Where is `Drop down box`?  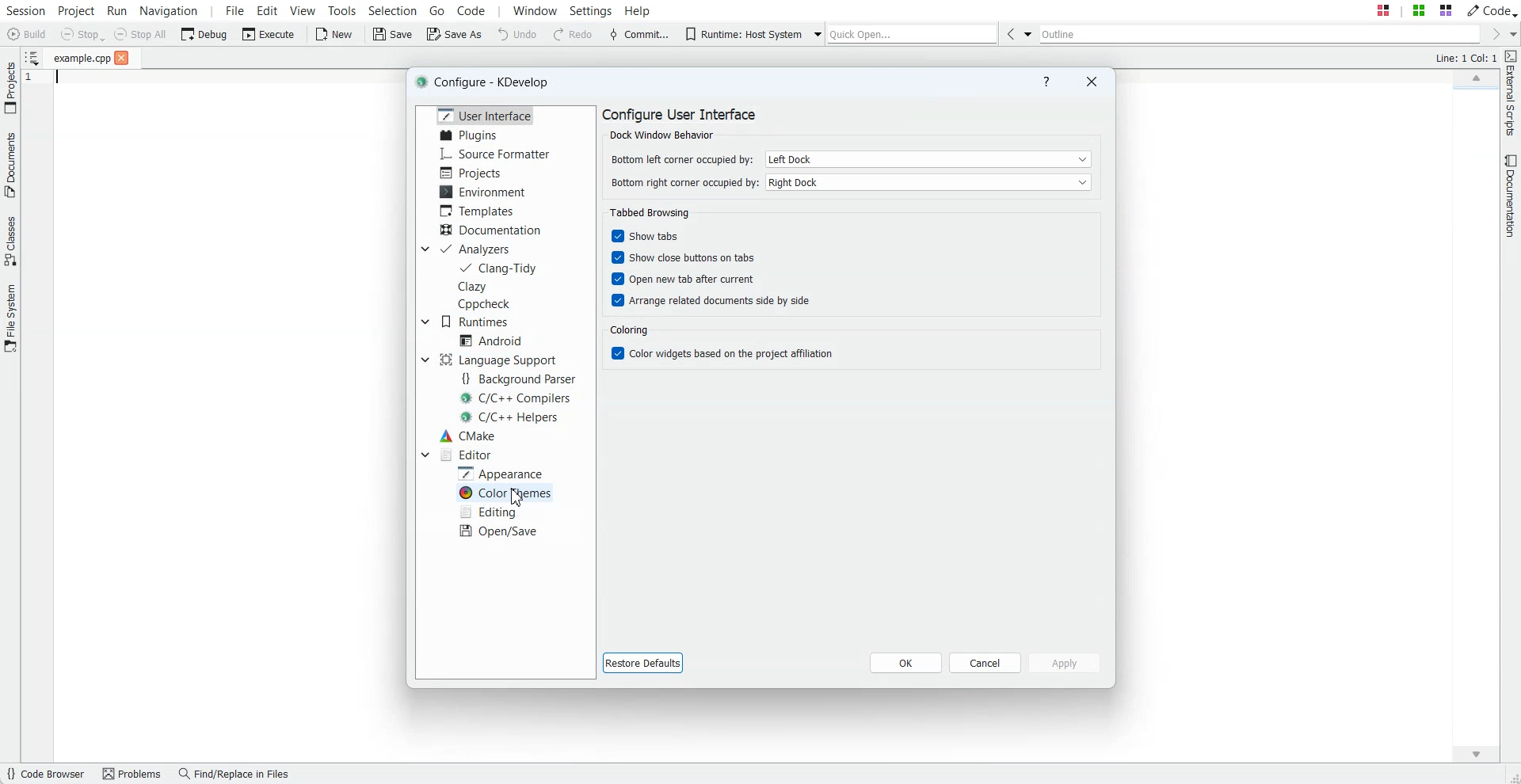 Drop down box is located at coordinates (816, 35).